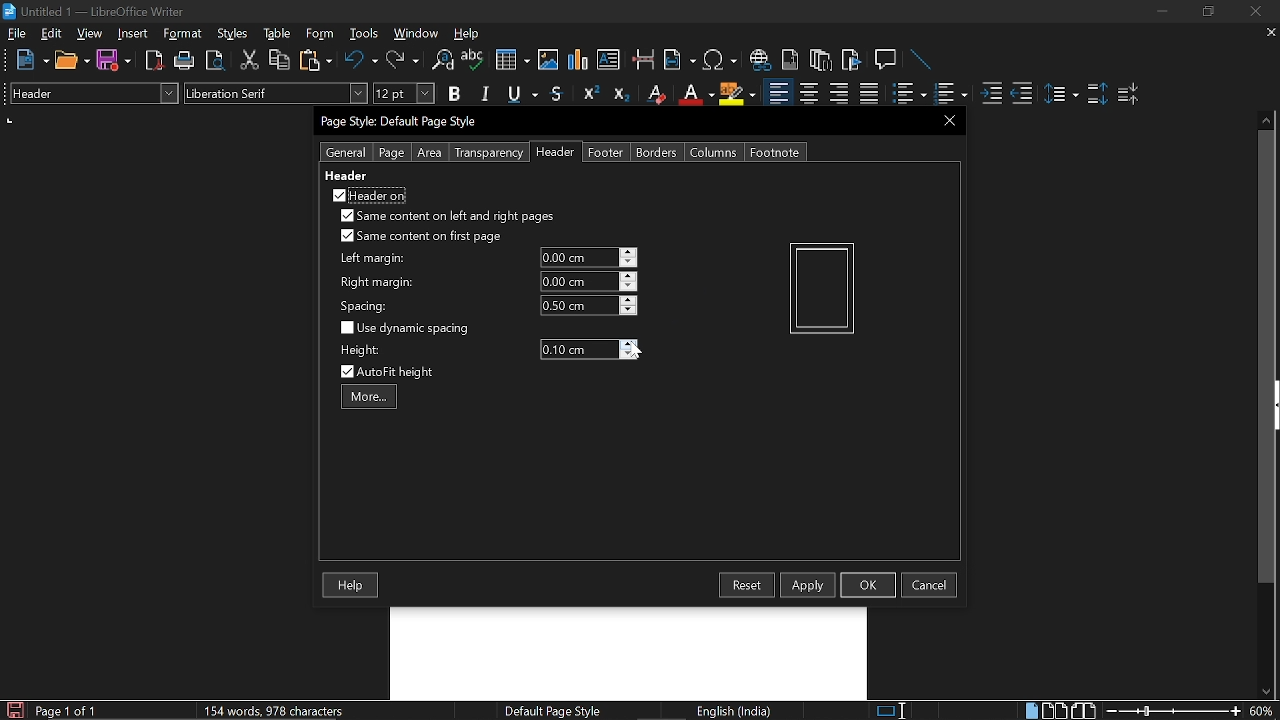 This screenshot has height=720, width=1280. I want to click on Increase height hey Cortana, so click(629, 344).